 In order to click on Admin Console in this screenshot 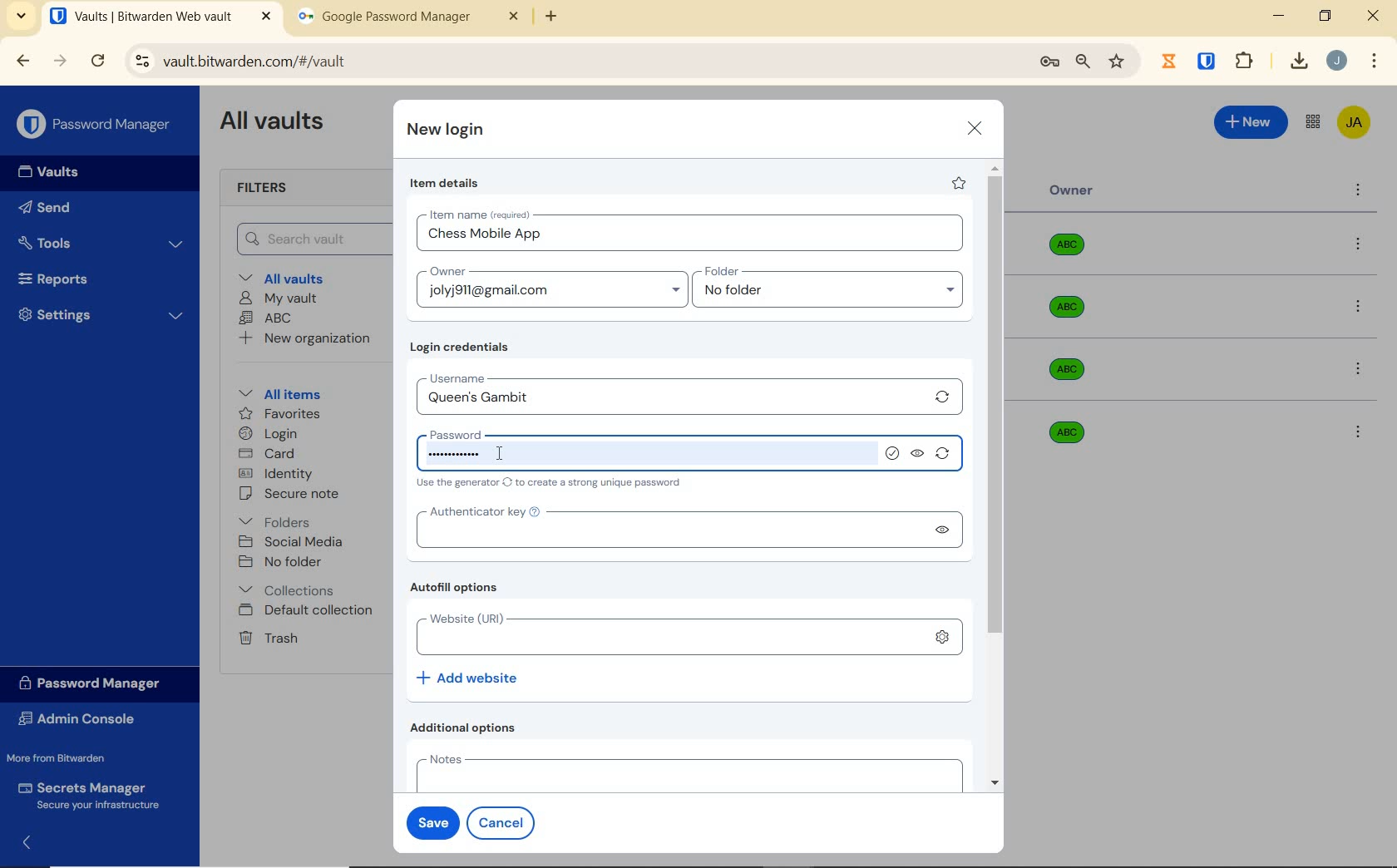, I will do `click(81, 721)`.